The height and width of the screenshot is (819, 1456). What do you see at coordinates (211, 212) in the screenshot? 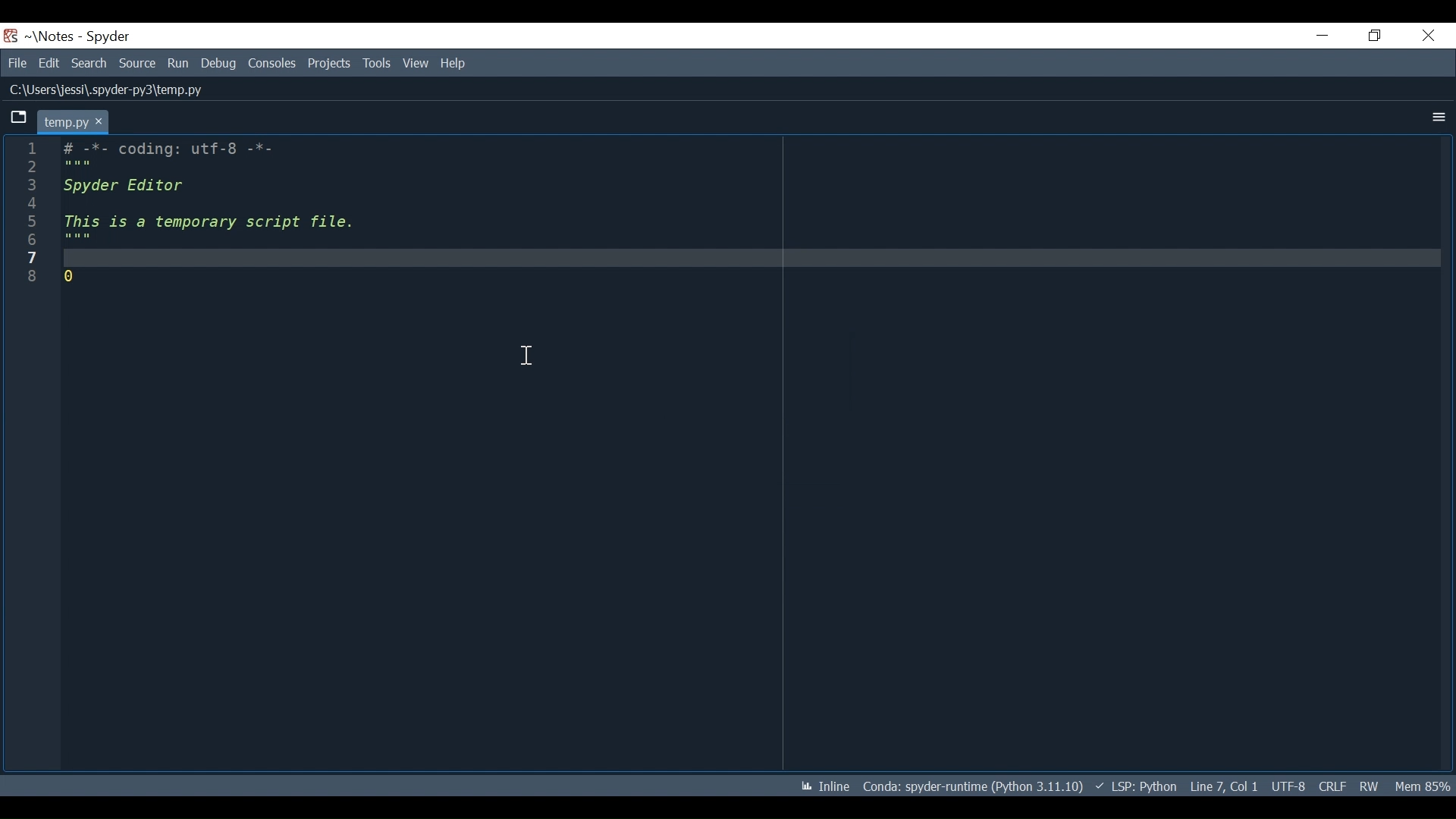
I see `-*- coding: utf-8 -*-spyder Editor this is a temporary script file.` at bounding box center [211, 212].